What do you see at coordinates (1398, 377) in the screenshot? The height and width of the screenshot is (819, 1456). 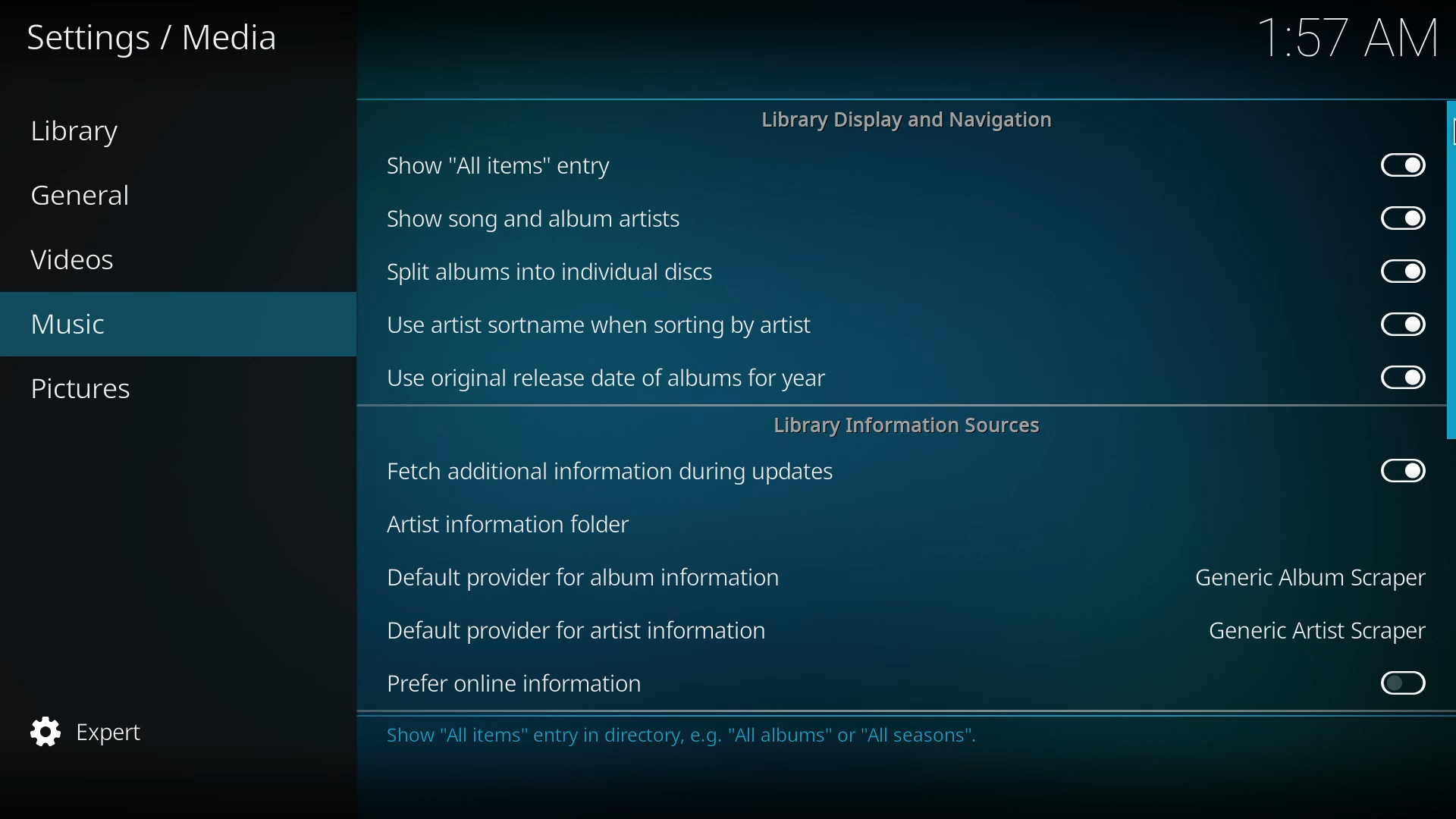 I see `enabled` at bounding box center [1398, 377].